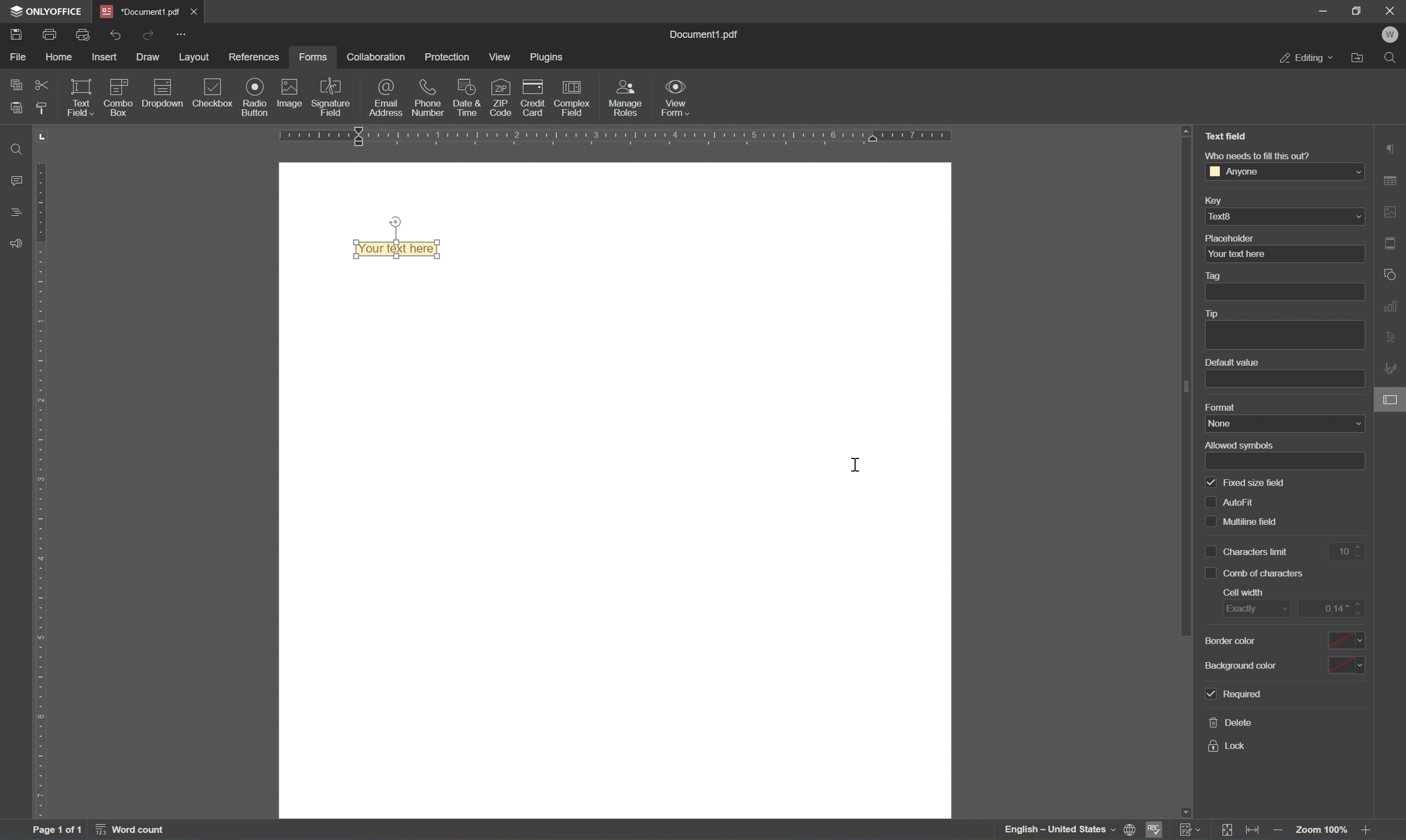  What do you see at coordinates (1390, 36) in the screenshot?
I see `welcome` at bounding box center [1390, 36].